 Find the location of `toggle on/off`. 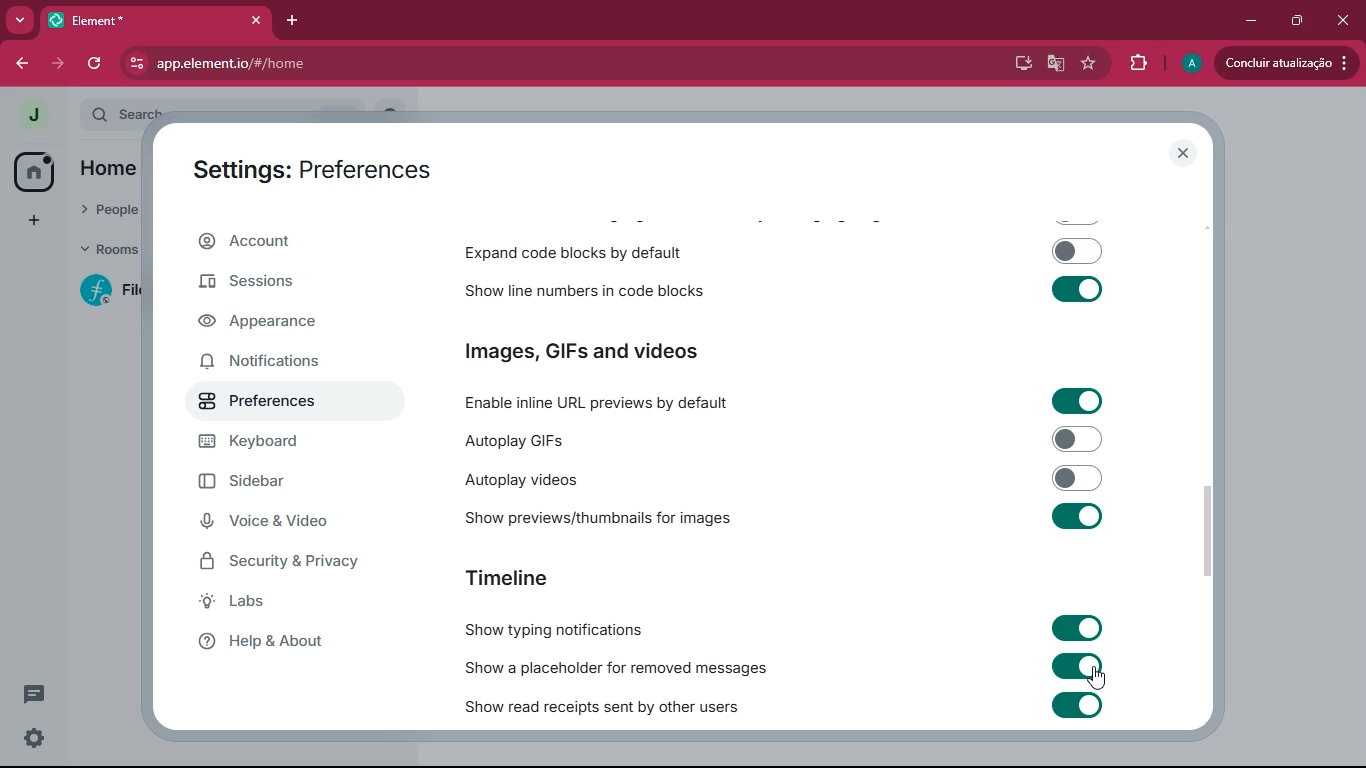

toggle on/off is located at coordinates (1079, 478).